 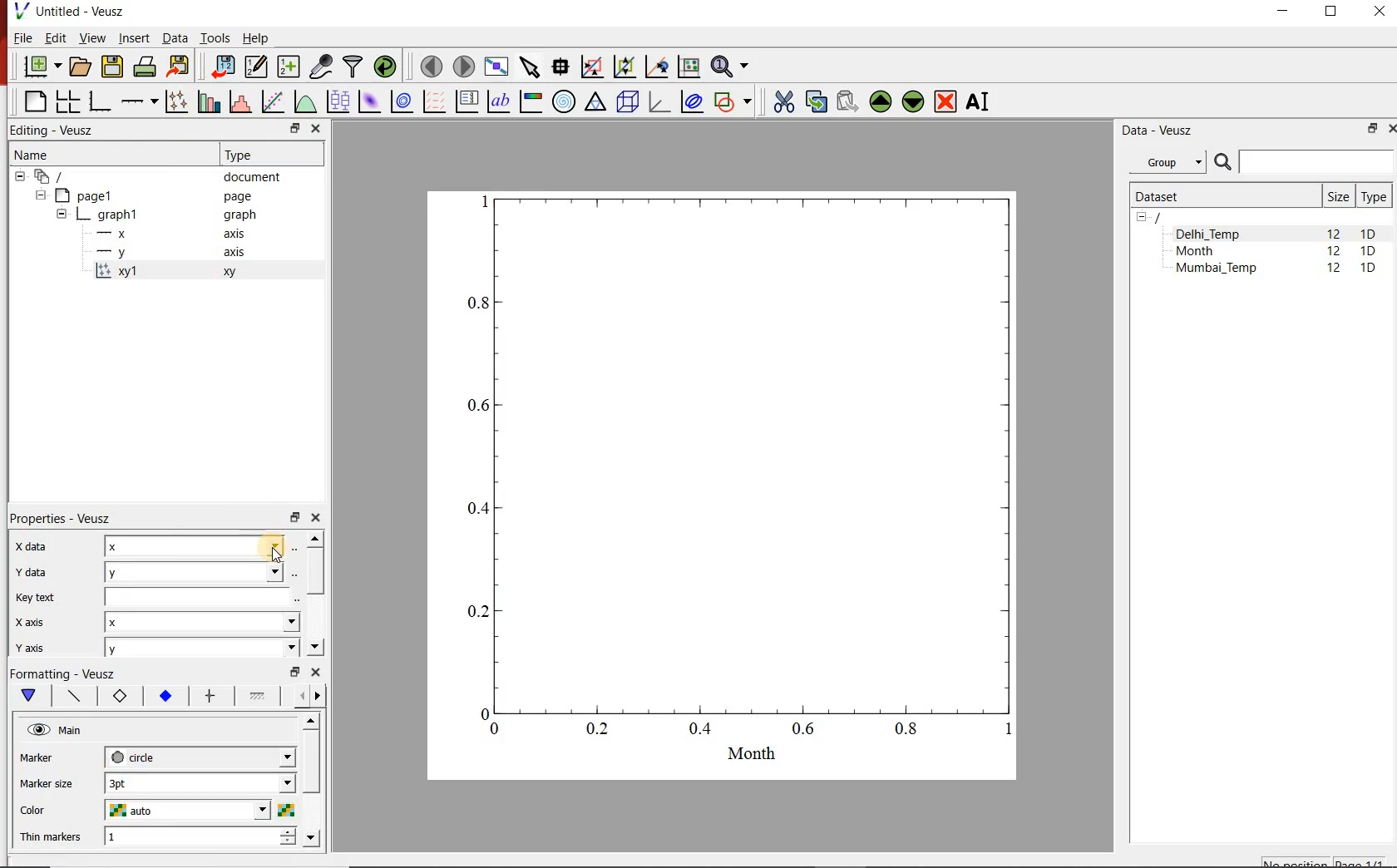 I want to click on 1D, so click(x=1368, y=269).